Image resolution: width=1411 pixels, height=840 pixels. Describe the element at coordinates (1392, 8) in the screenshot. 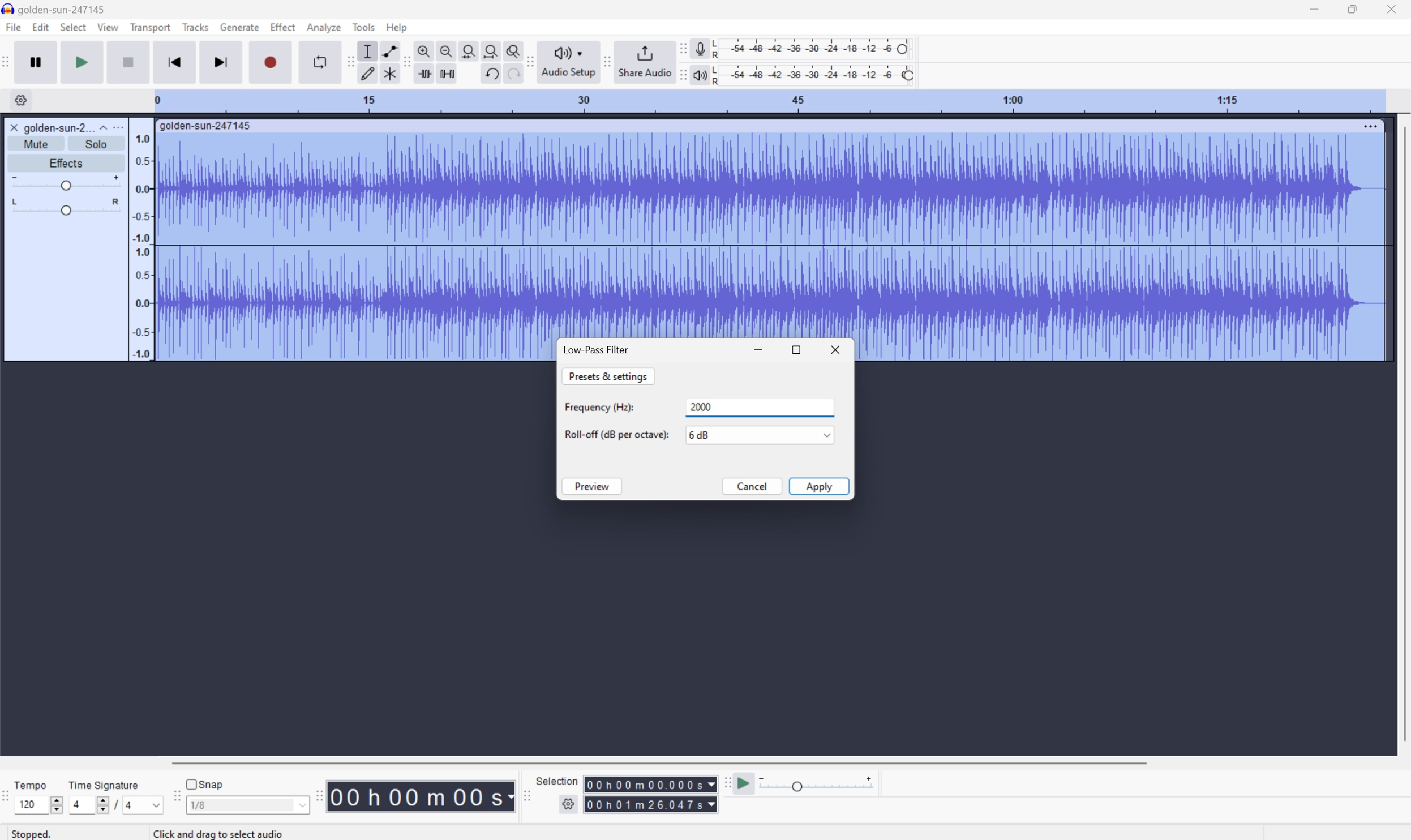

I see `Close` at that location.